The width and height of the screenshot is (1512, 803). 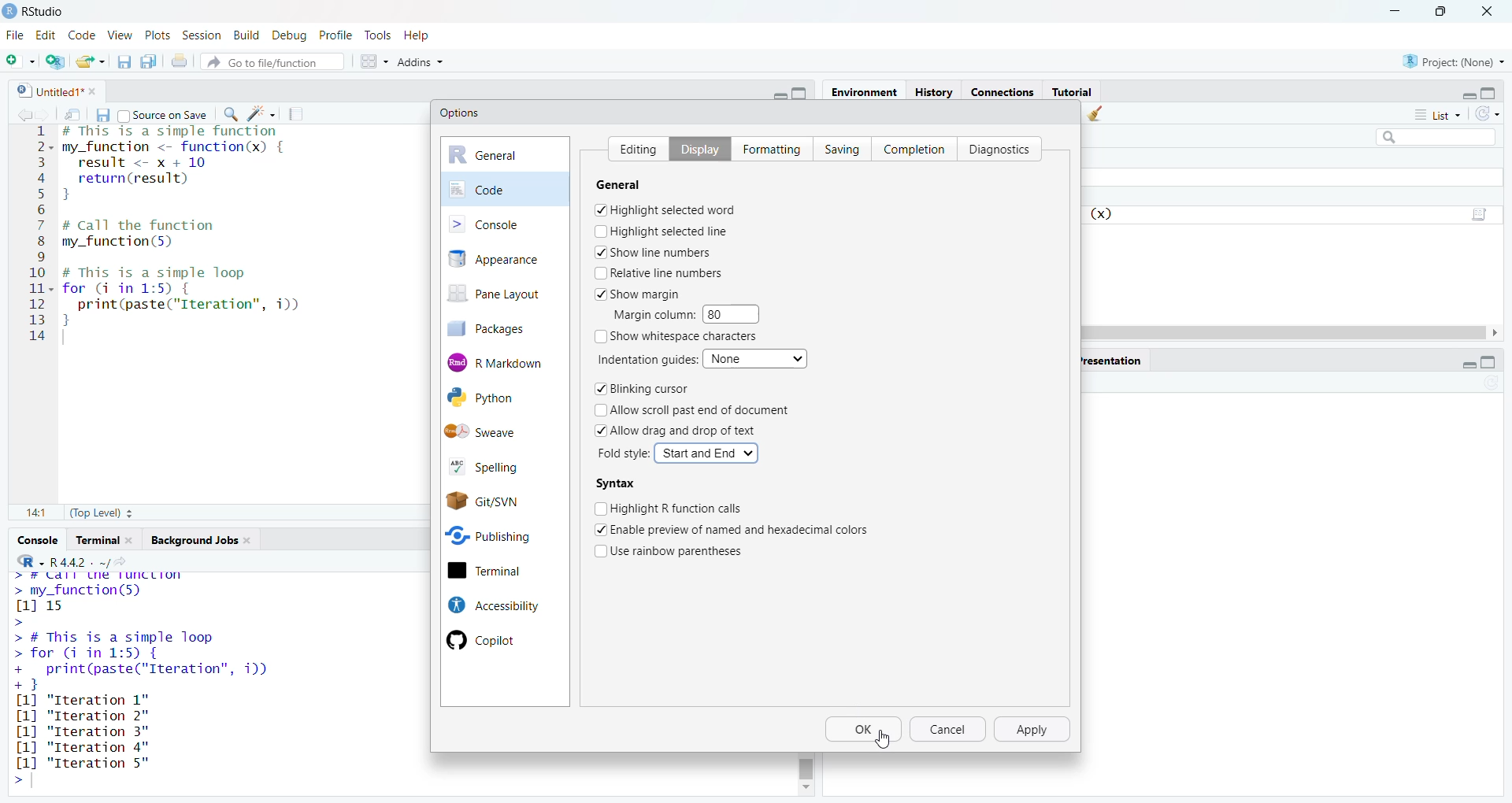 I want to click on allow drag and drop of text, so click(x=677, y=430).